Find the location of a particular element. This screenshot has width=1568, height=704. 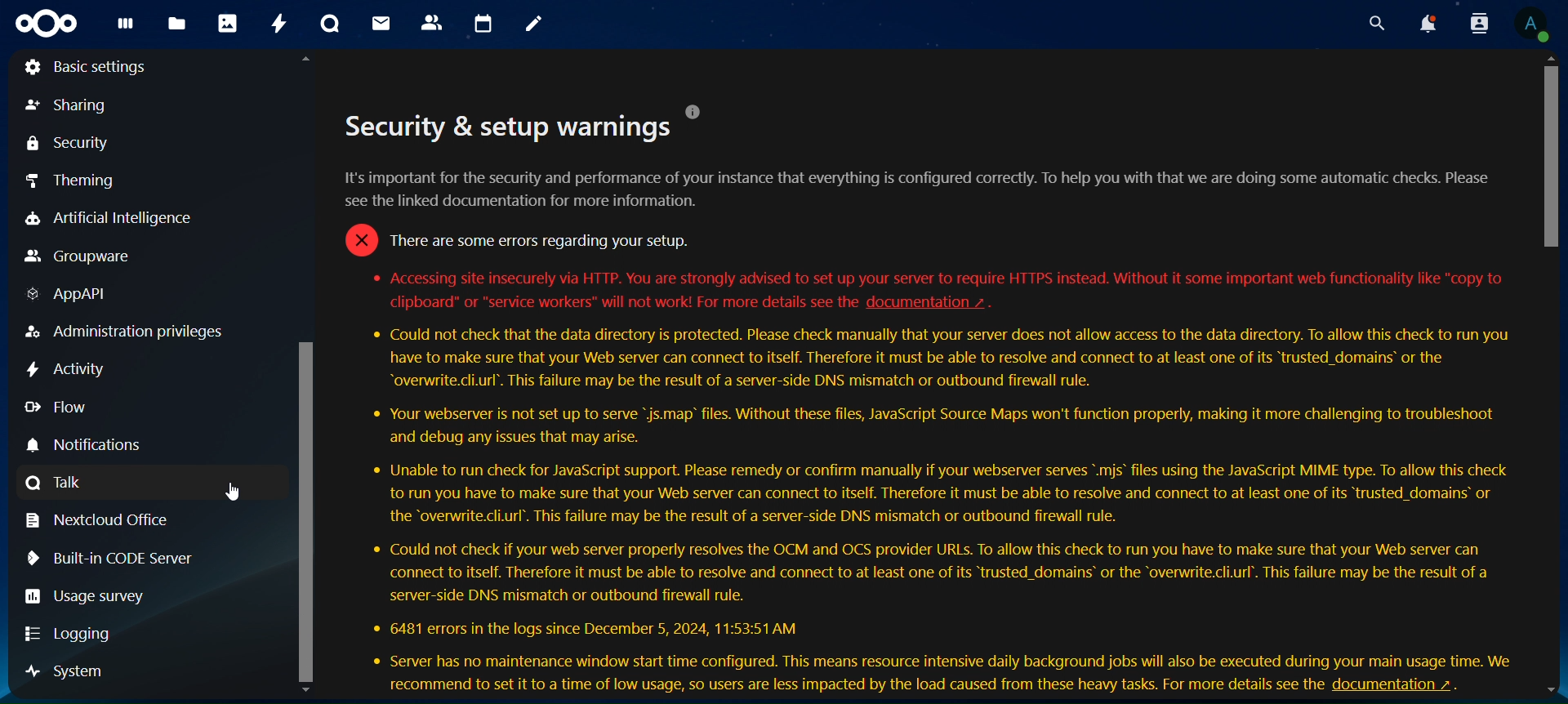

hyperlink is located at coordinates (939, 301).